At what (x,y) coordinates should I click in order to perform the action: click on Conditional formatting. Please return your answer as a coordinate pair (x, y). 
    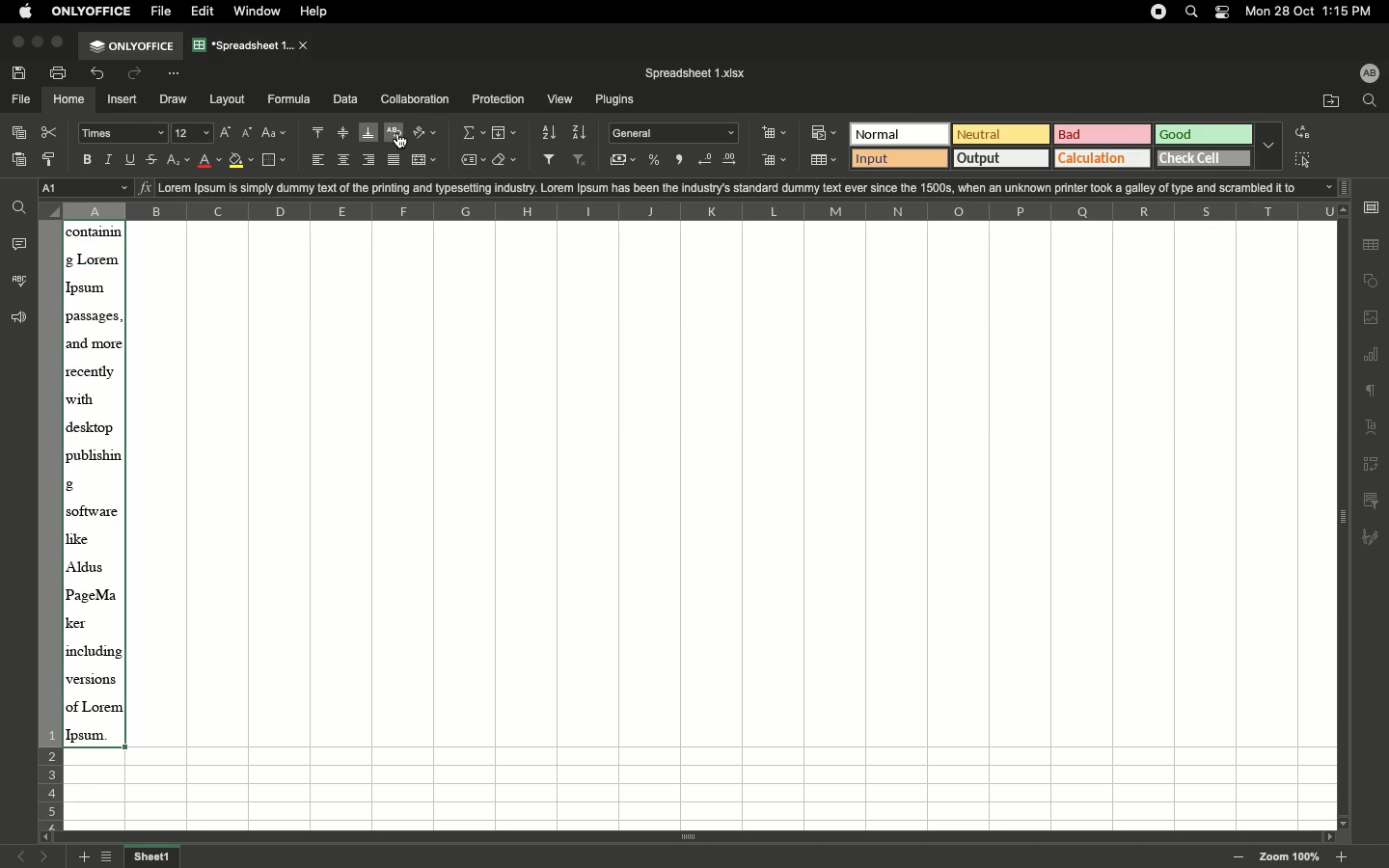
    Looking at the image, I should click on (824, 132).